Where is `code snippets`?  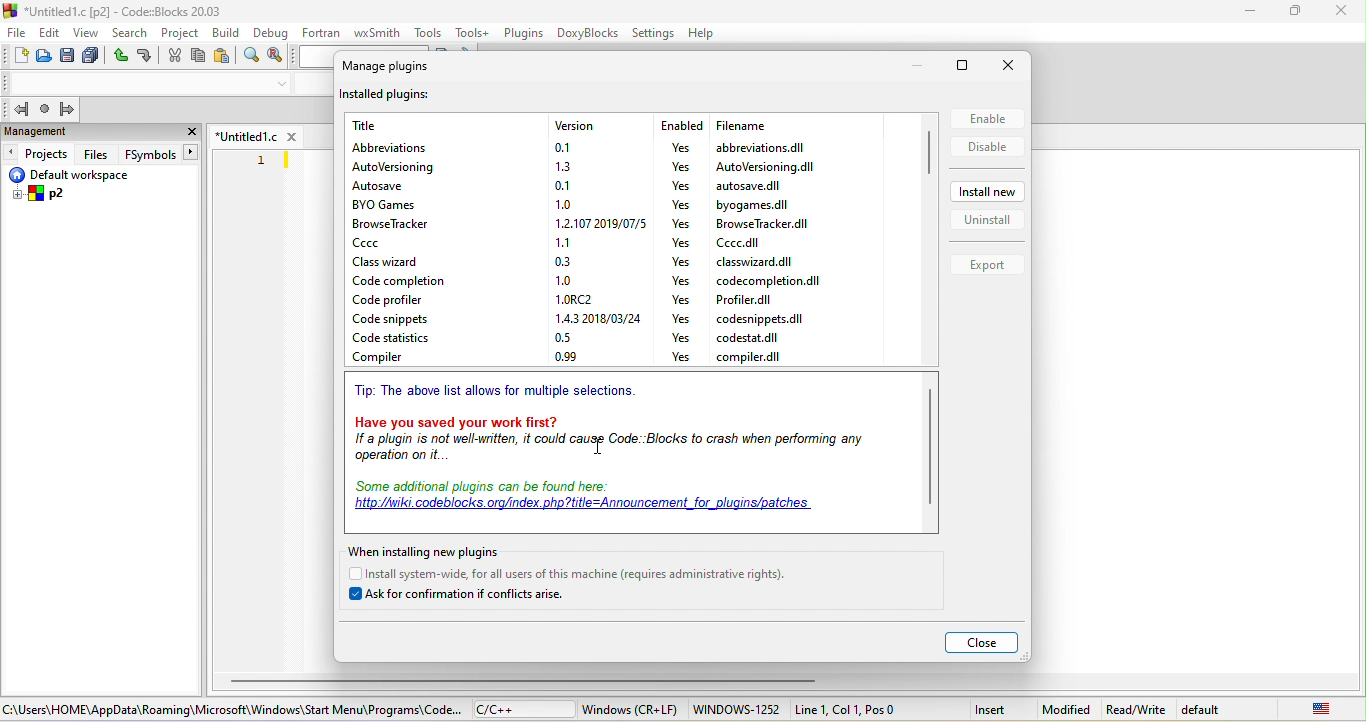
code snippets is located at coordinates (399, 318).